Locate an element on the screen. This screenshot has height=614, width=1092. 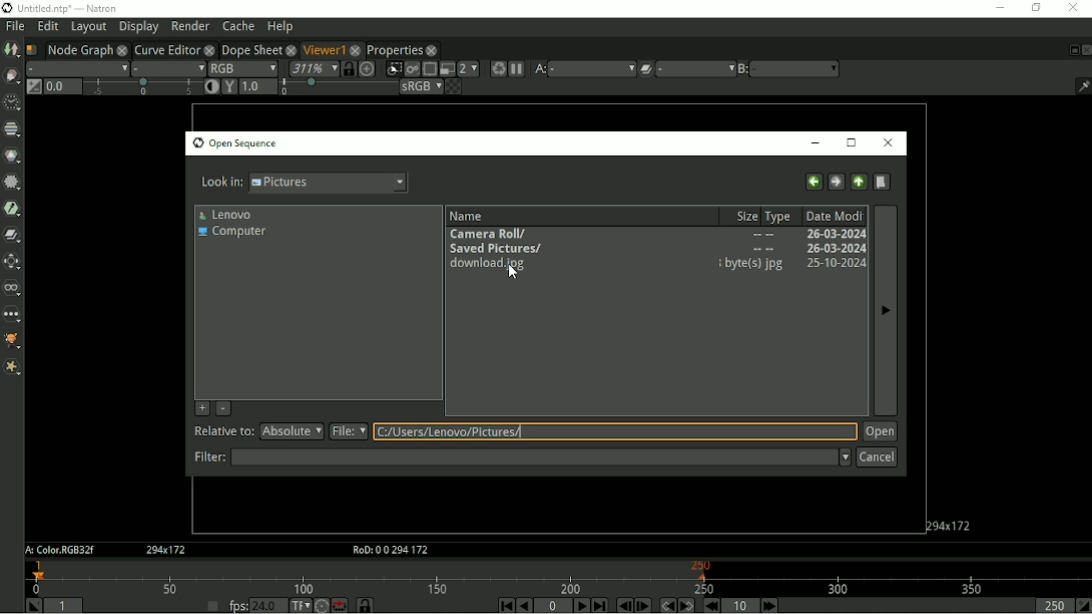
Switch between "neutral" 1.0 gain f-stop and the previous setting is located at coordinates (33, 87).